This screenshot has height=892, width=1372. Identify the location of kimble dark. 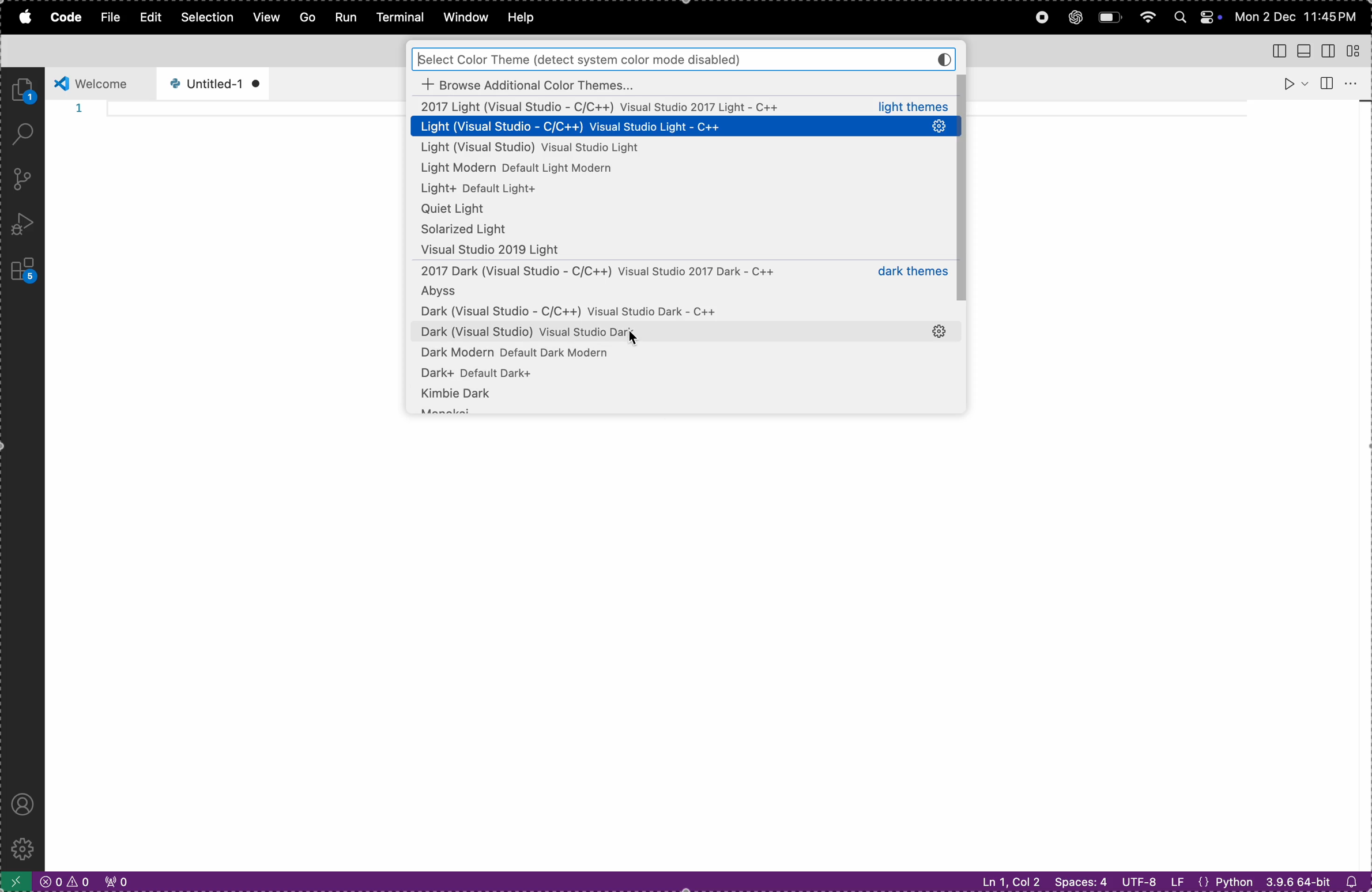
(682, 399).